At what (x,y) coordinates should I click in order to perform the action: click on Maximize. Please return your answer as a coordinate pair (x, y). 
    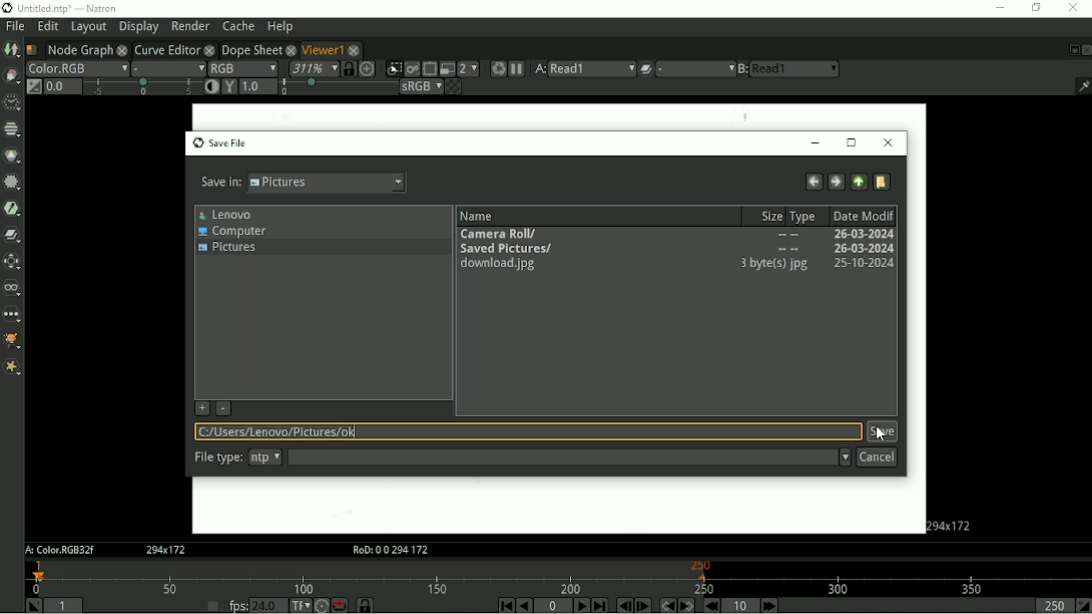
    Looking at the image, I should click on (852, 144).